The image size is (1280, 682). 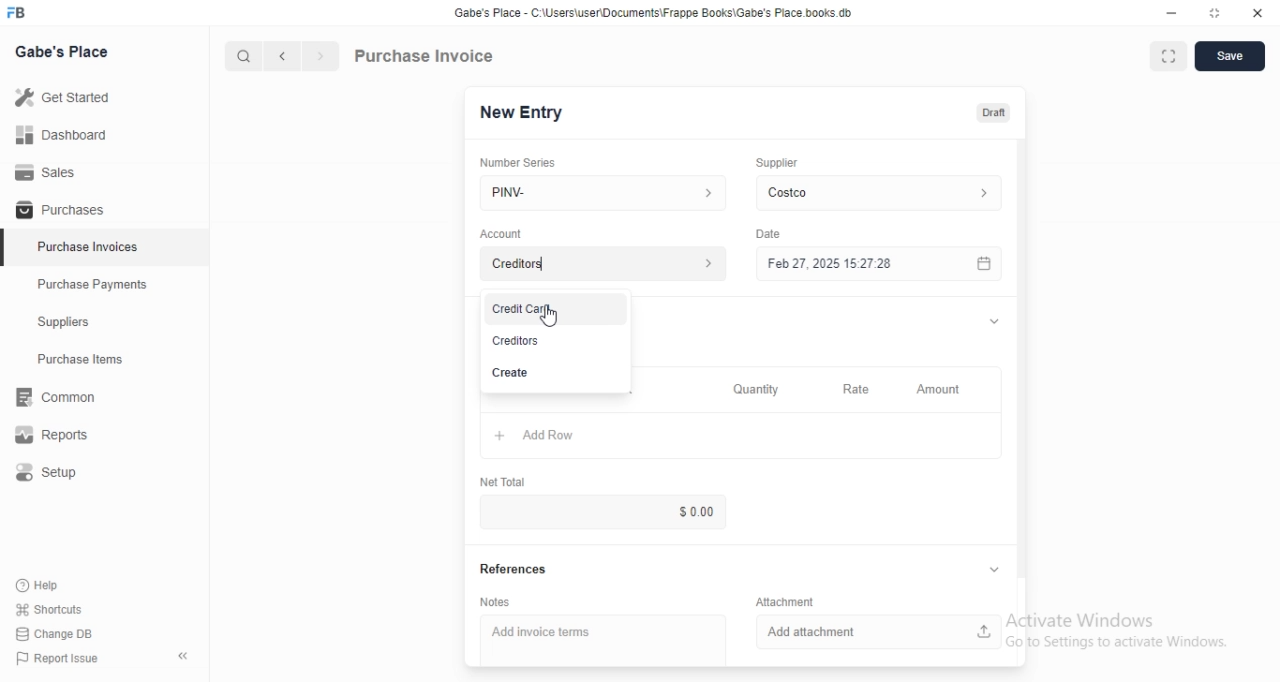 I want to click on Rate, so click(x=860, y=389).